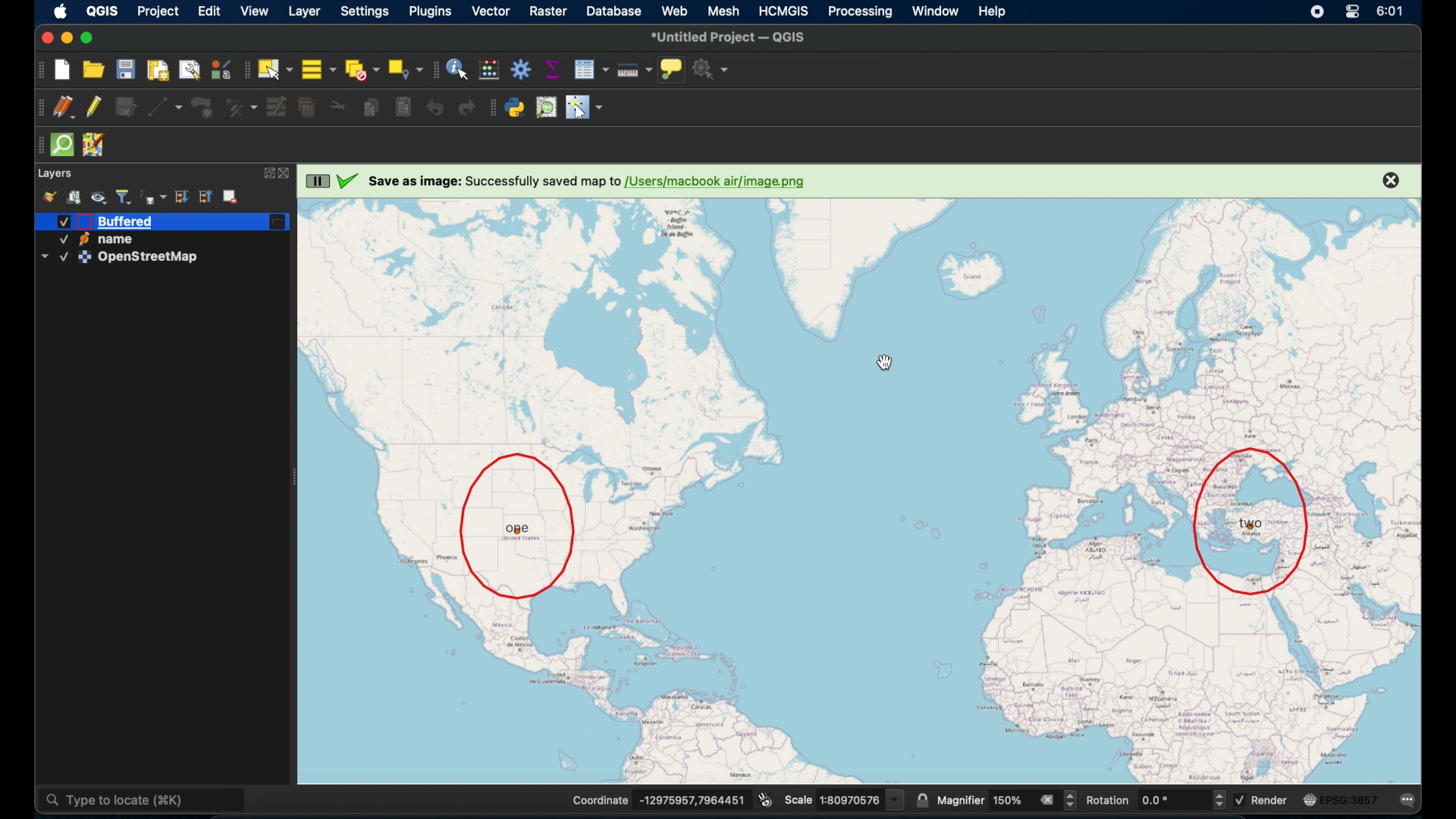 This screenshot has width=1456, height=819. Describe the element at coordinates (309, 106) in the screenshot. I see `delete selected` at that location.